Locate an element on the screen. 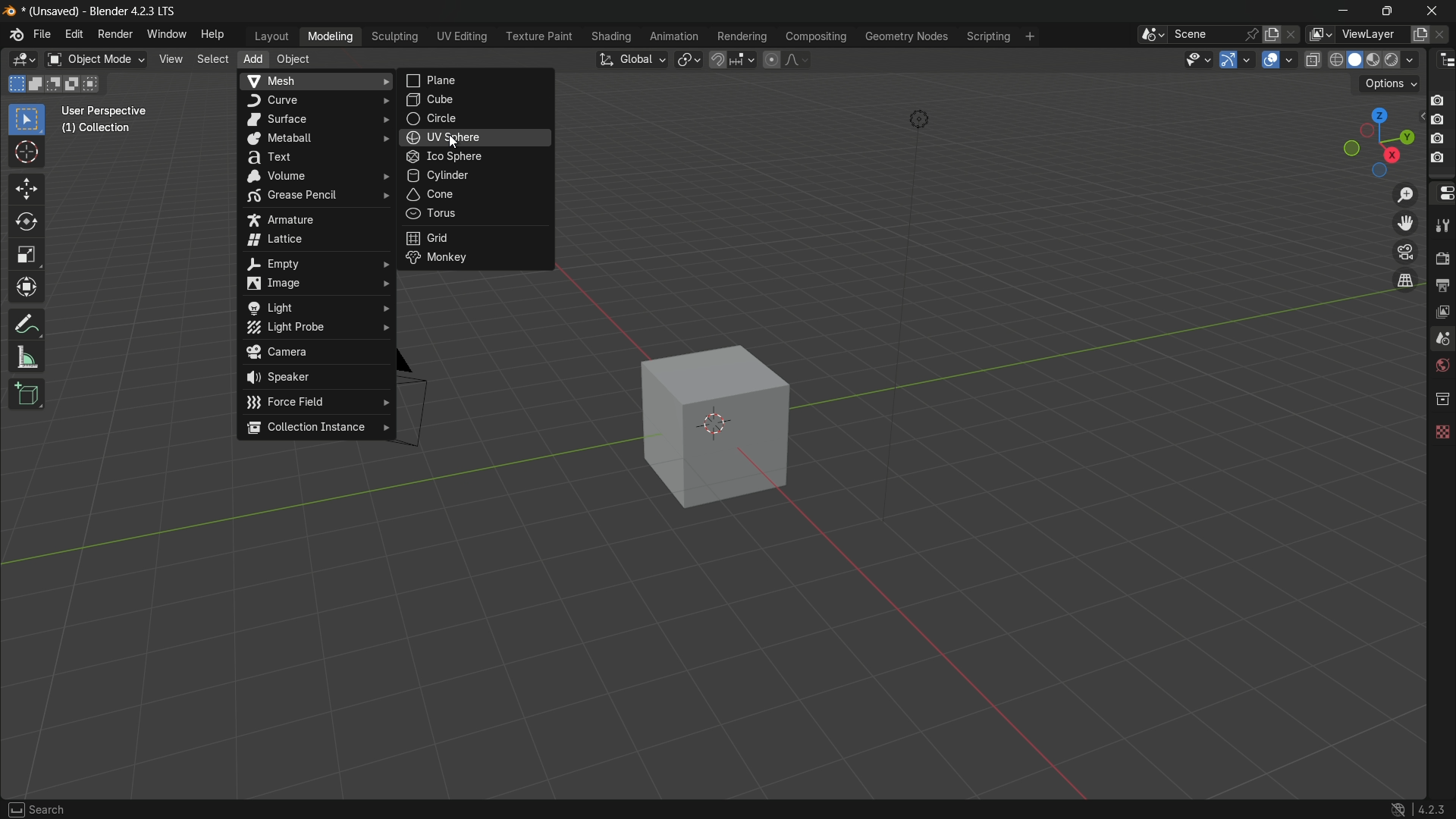 The image size is (1456, 819). cursor is located at coordinates (27, 155).